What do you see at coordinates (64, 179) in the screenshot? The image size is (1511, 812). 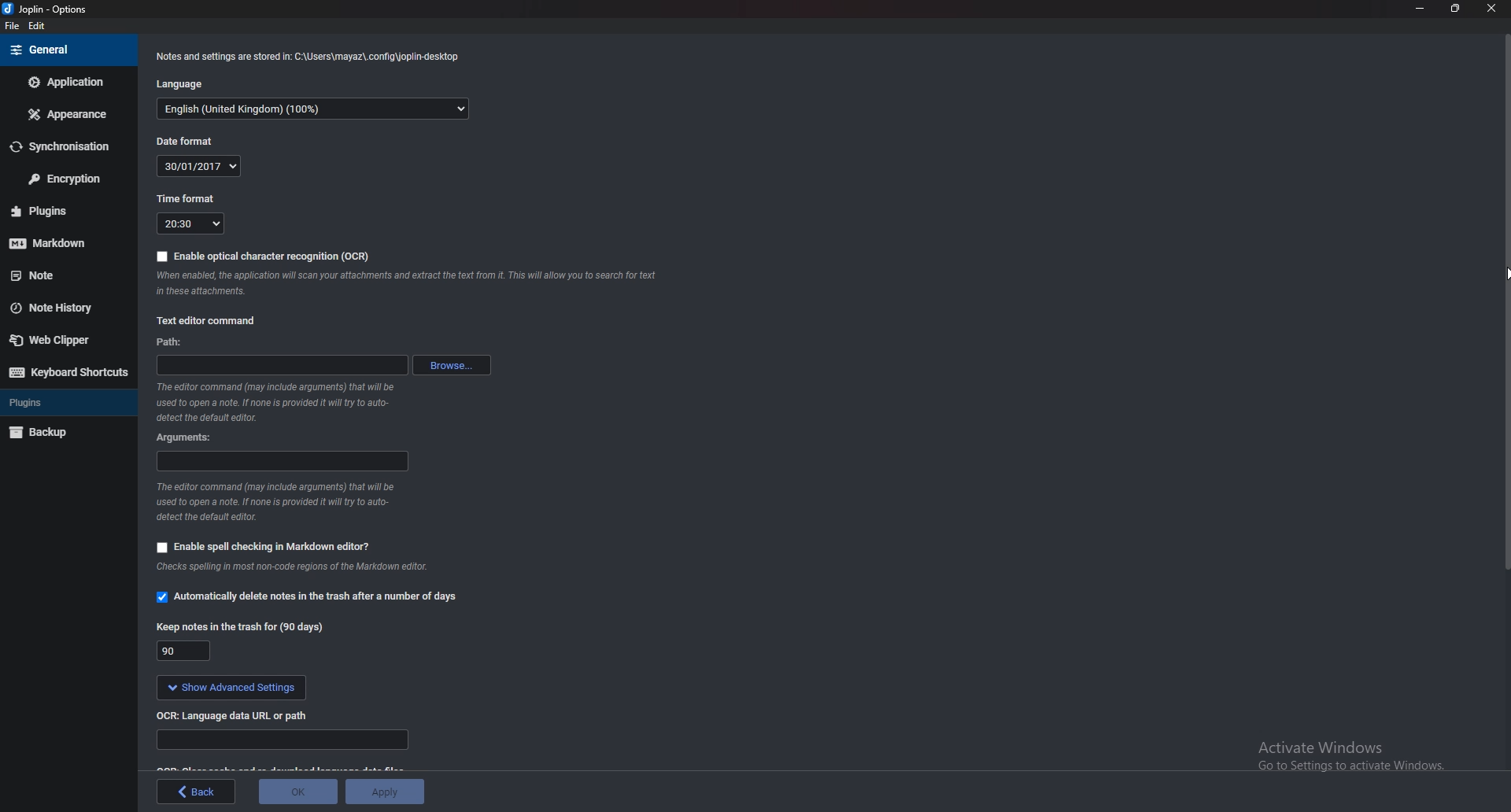 I see `Encryption` at bounding box center [64, 179].